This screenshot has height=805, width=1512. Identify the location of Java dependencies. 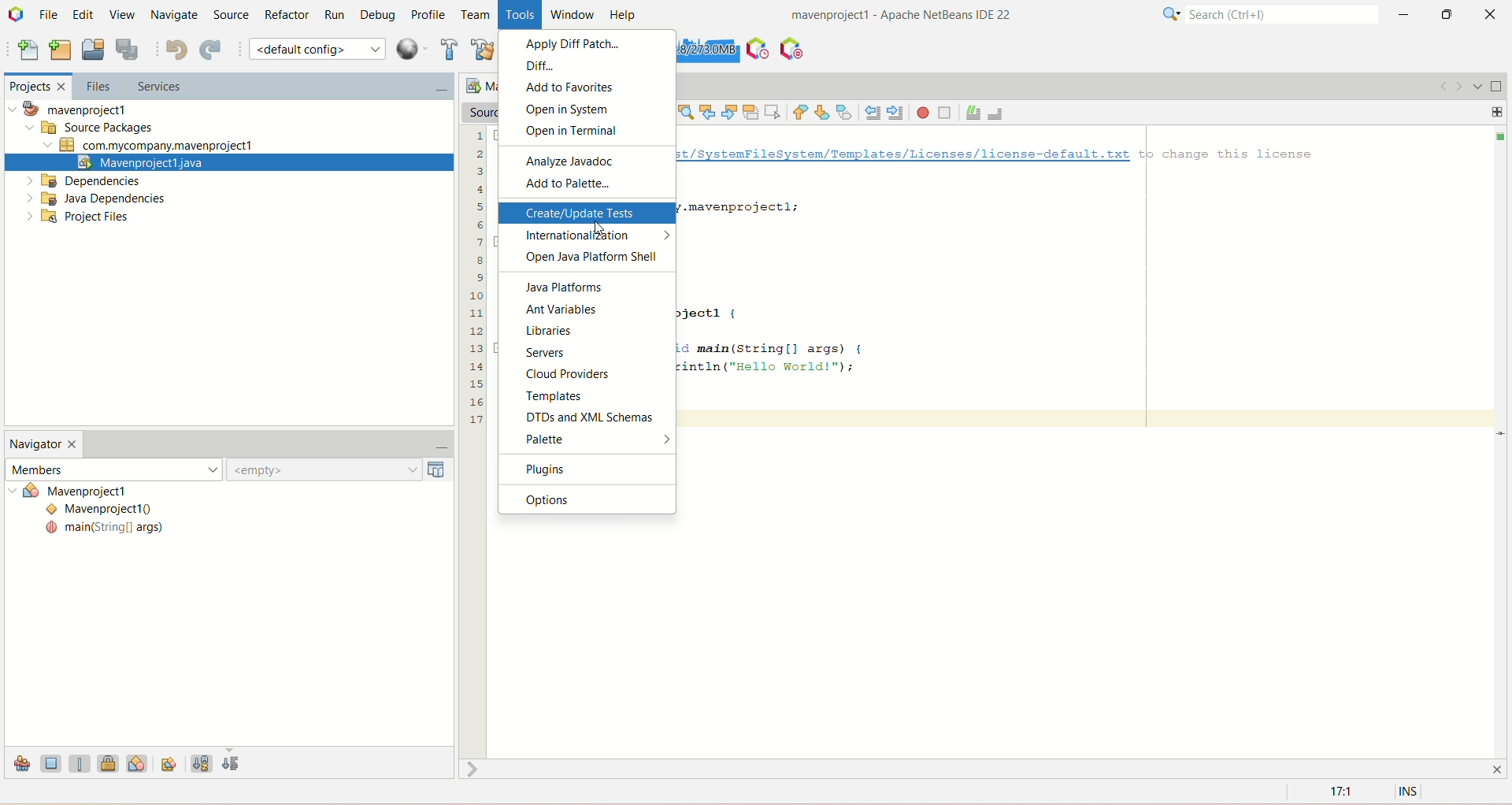
(96, 198).